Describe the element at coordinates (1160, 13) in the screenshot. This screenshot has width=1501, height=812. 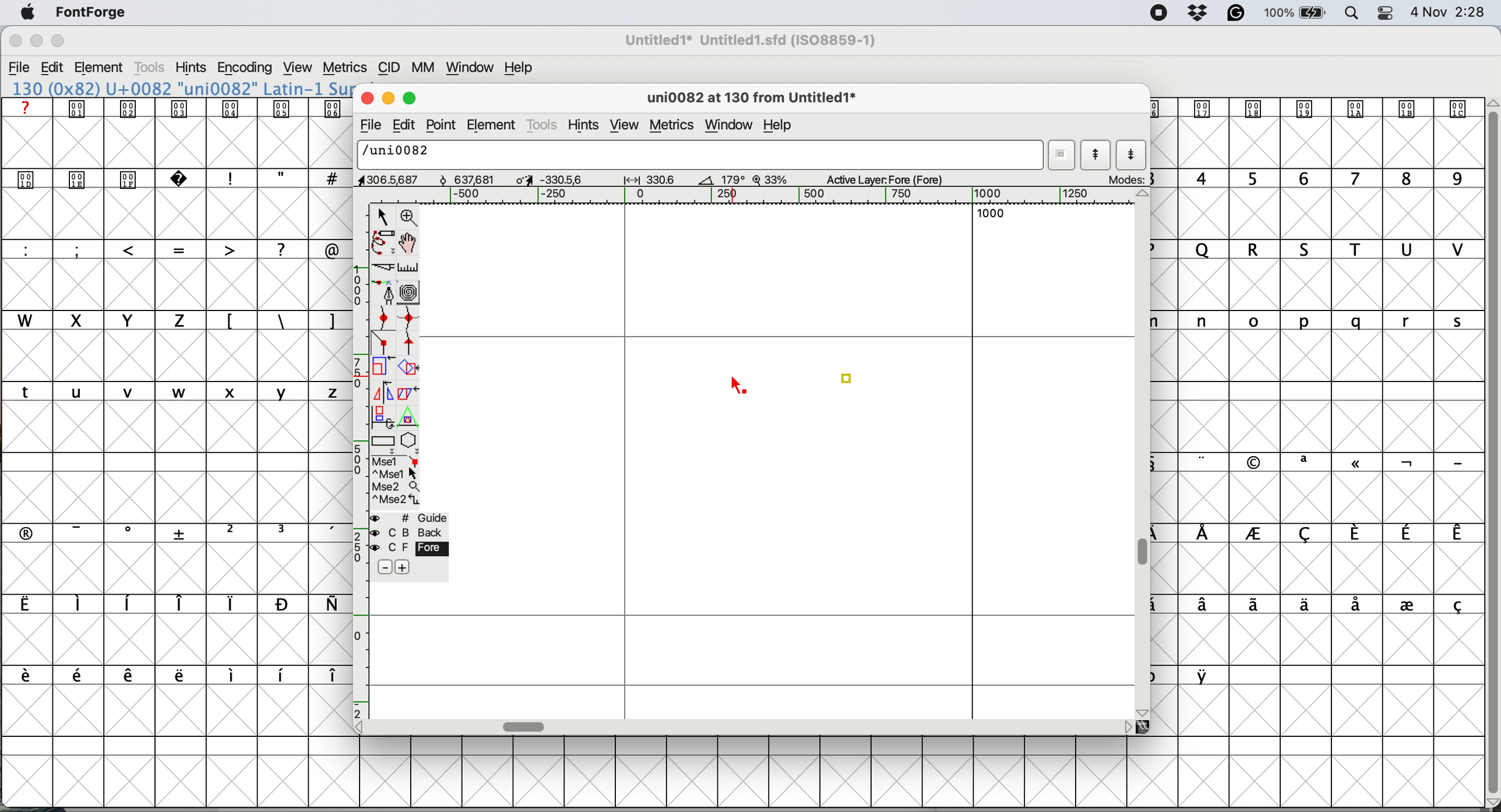
I see `screen recorder` at that location.